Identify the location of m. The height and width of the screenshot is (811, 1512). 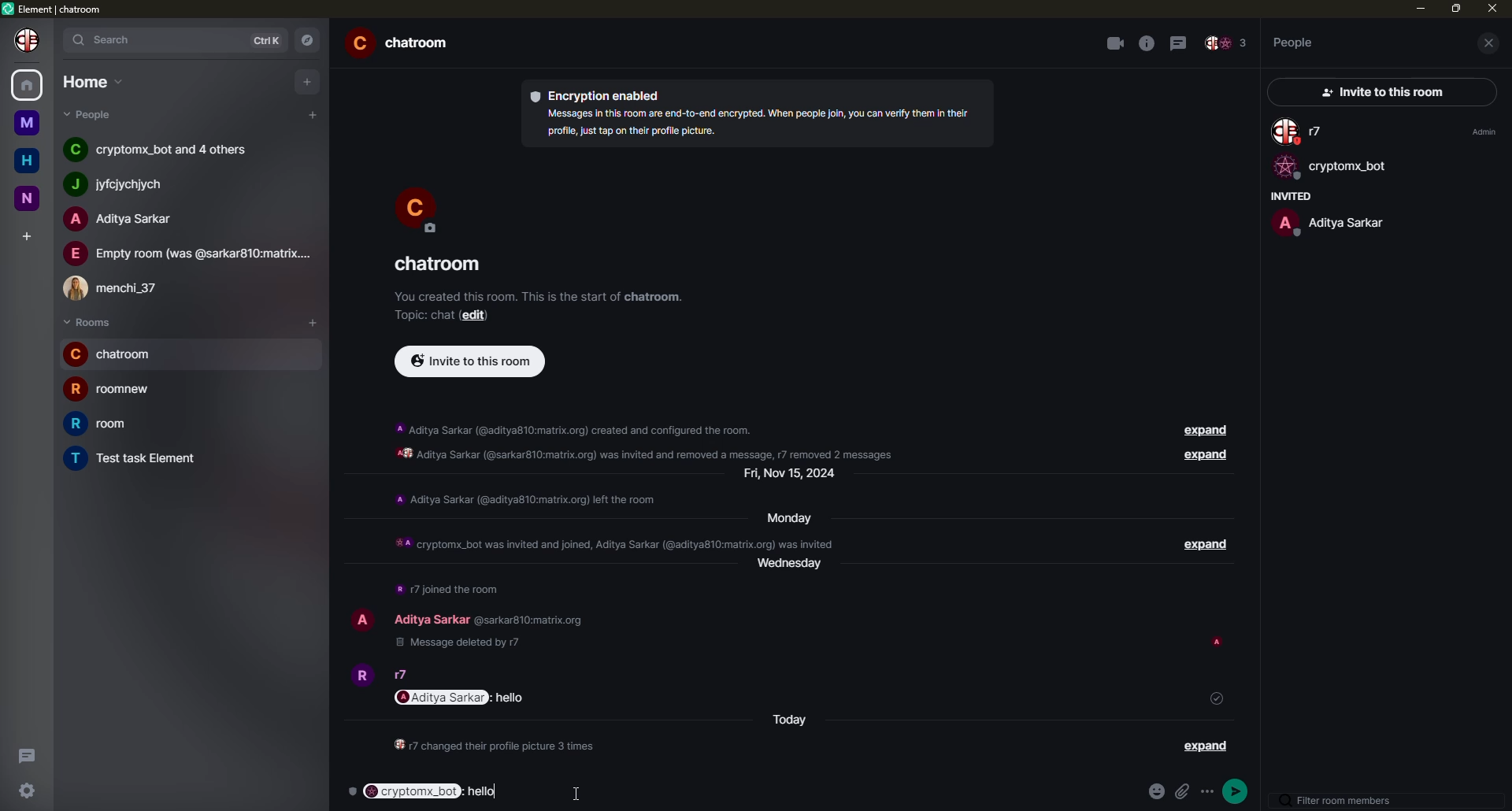
(26, 123).